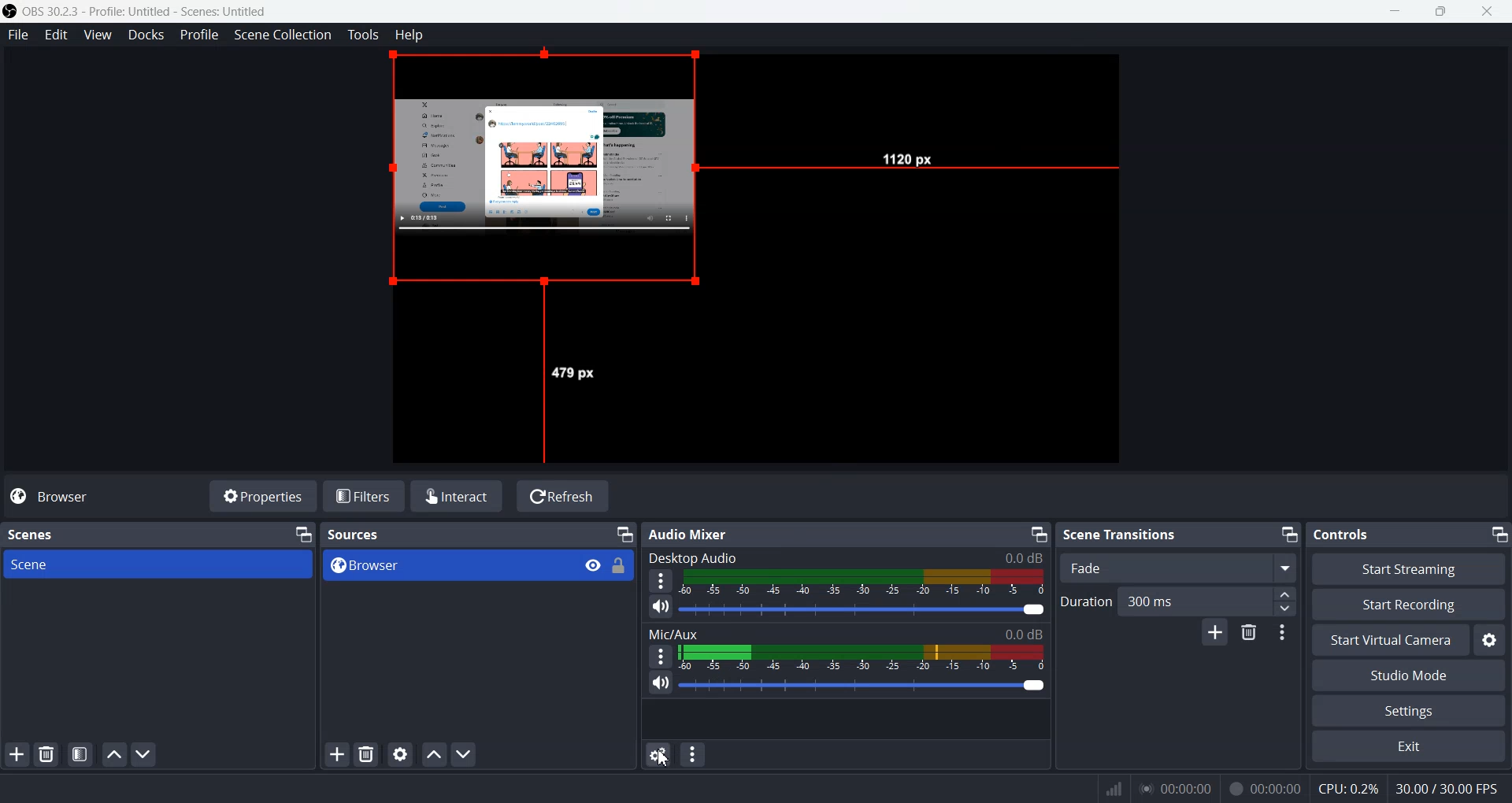  I want to click on Filters, so click(366, 495).